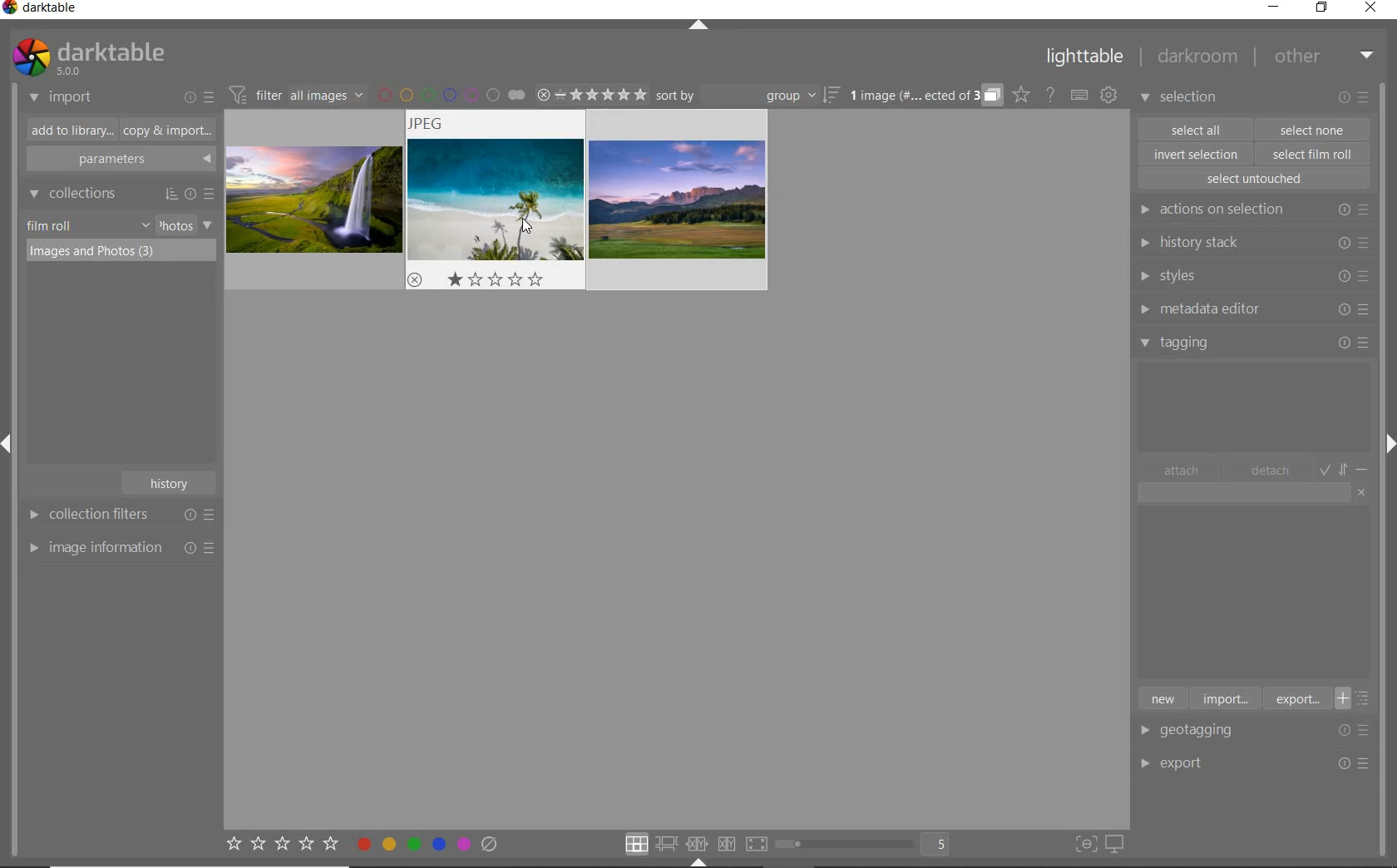 The image size is (1397, 868). Describe the element at coordinates (1271, 471) in the screenshot. I see `detach` at that location.